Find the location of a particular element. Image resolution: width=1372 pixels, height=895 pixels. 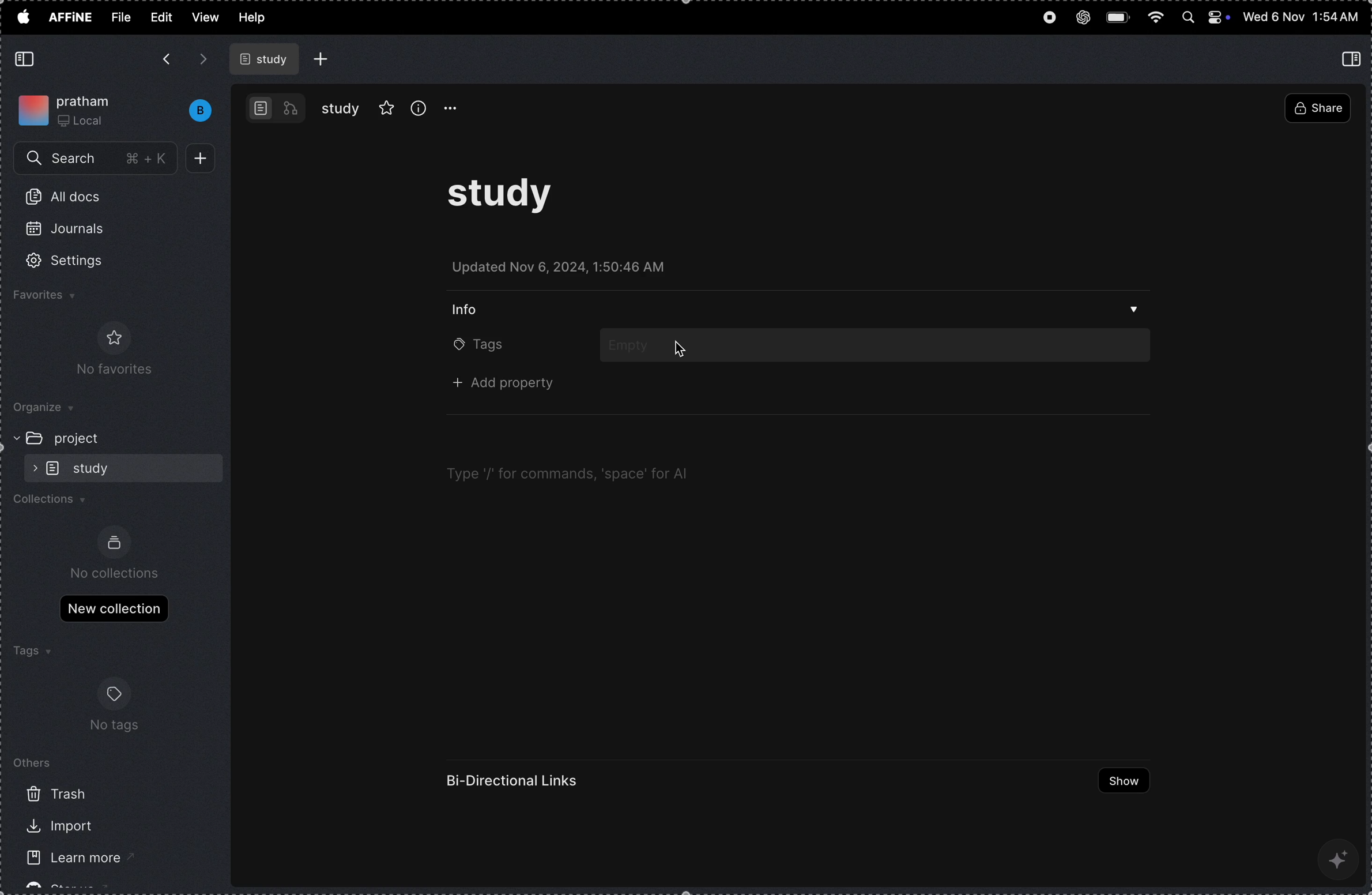

collection logo is located at coordinates (114, 543).